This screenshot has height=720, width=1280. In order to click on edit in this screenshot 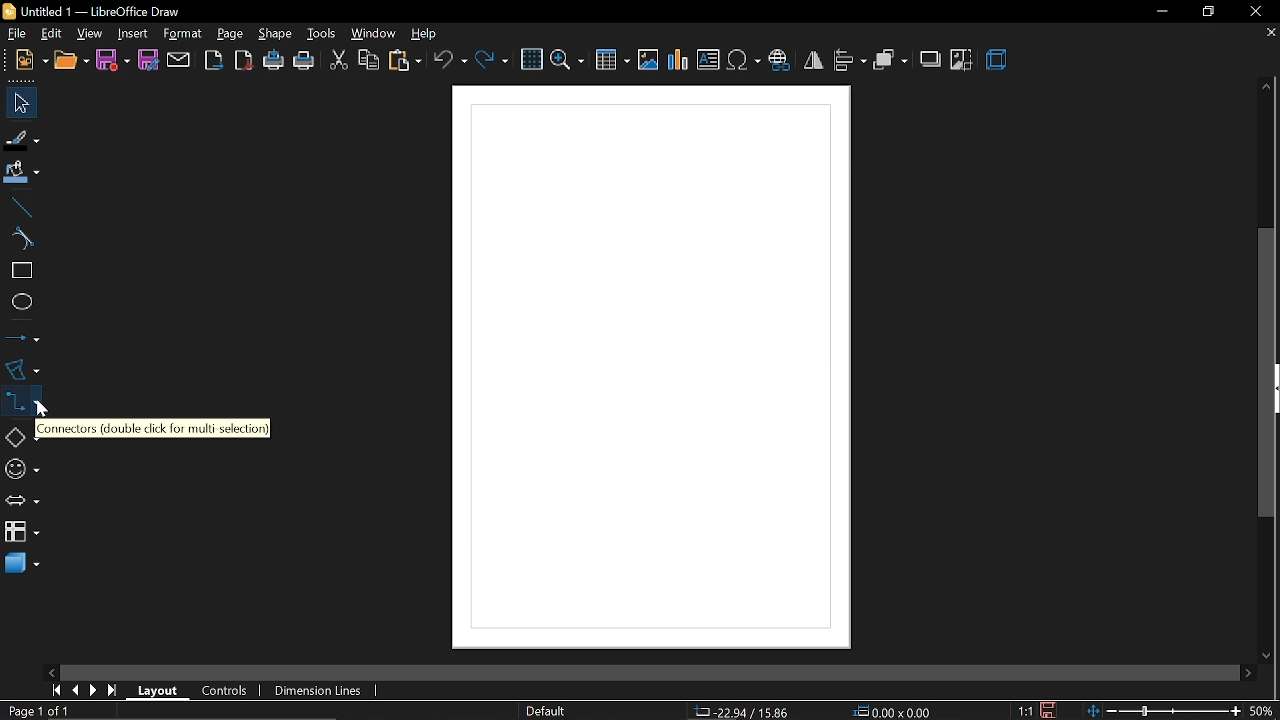, I will do `click(50, 33)`.